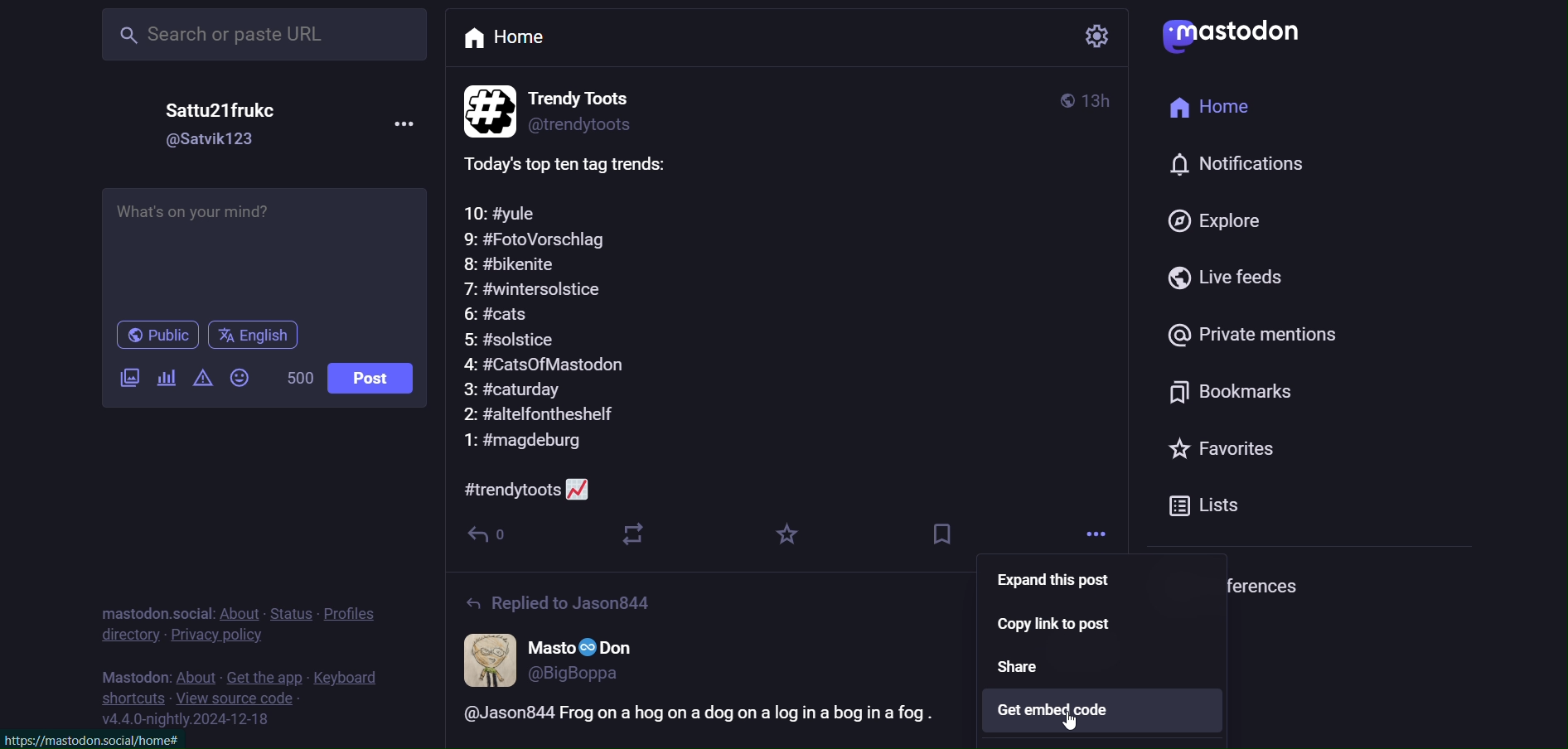 Image resolution: width=1568 pixels, height=749 pixels. I want to click on text, so click(150, 605).